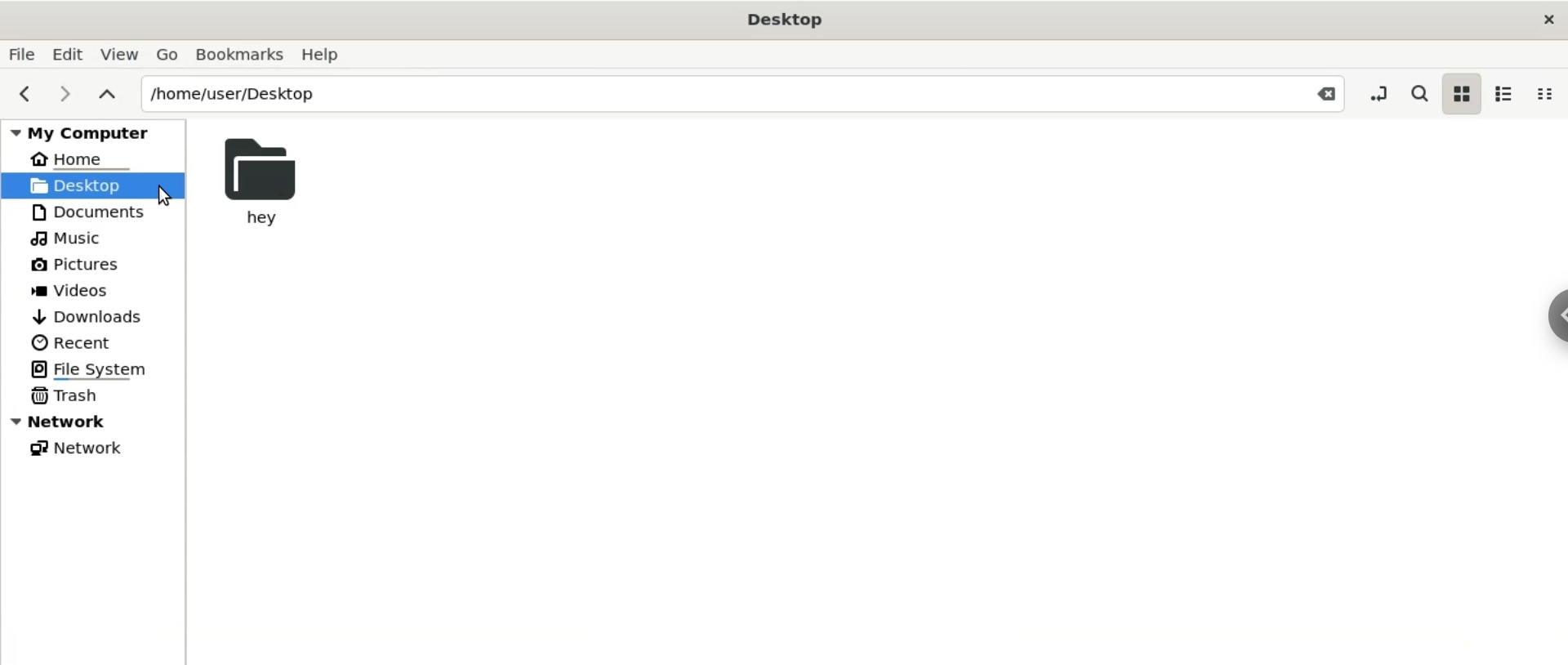 This screenshot has width=1568, height=665. I want to click on next, so click(65, 92).